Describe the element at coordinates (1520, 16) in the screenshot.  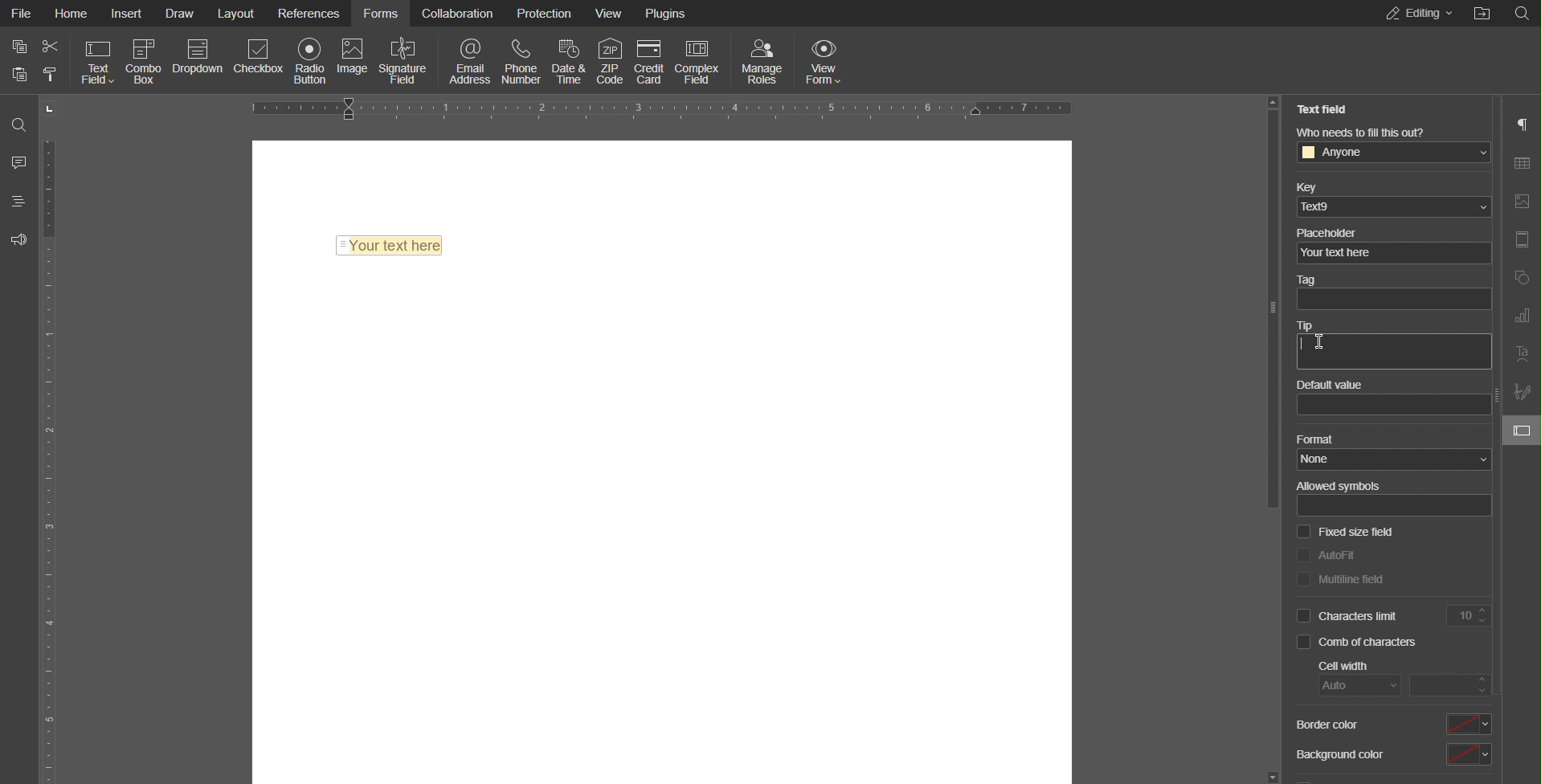
I see `` at that location.